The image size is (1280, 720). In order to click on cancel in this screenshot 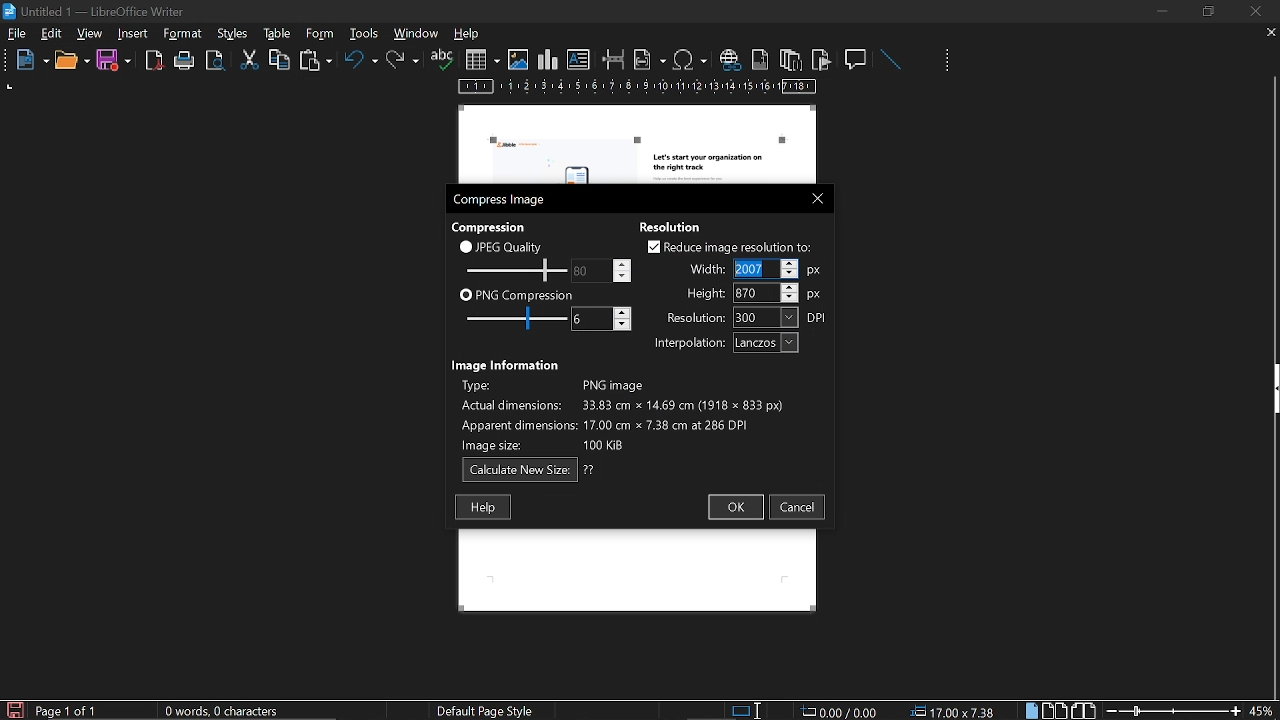, I will do `click(798, 507)`.